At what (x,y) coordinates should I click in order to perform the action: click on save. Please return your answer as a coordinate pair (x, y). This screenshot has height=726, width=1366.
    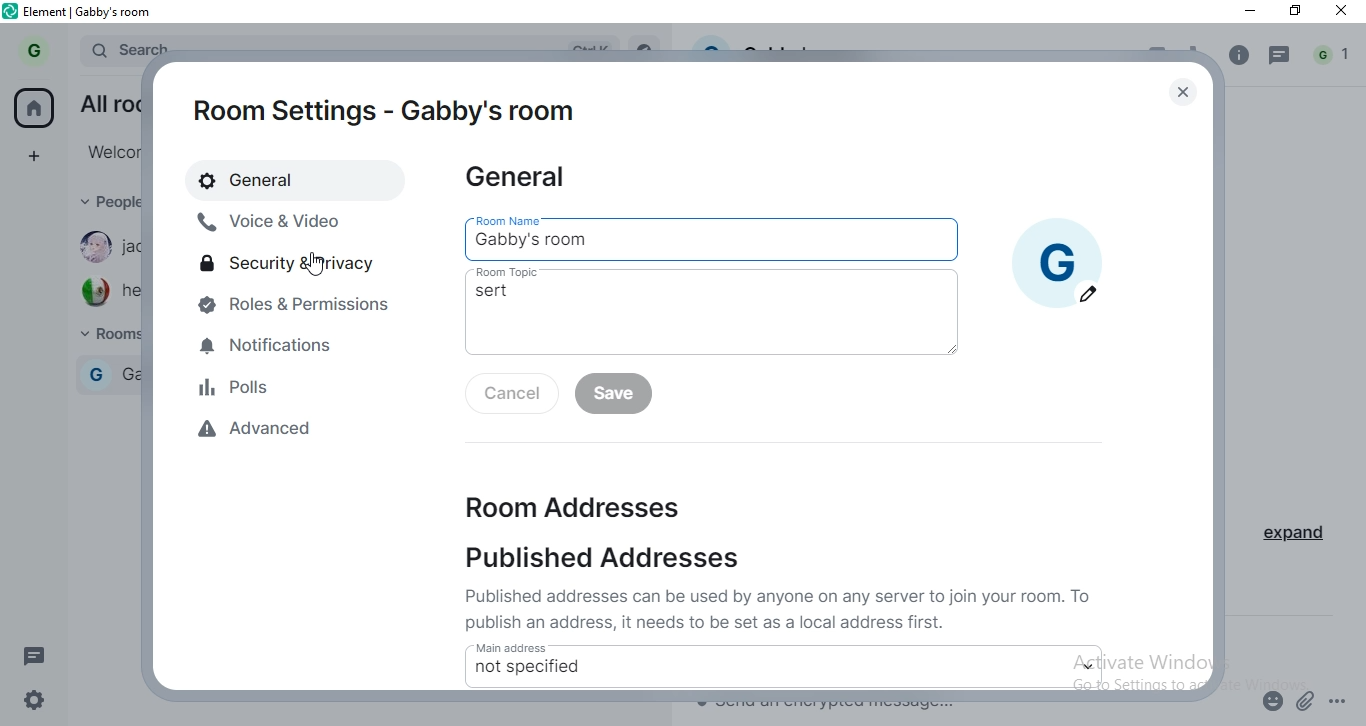
    Looking at the image, I should click on (614, 391).